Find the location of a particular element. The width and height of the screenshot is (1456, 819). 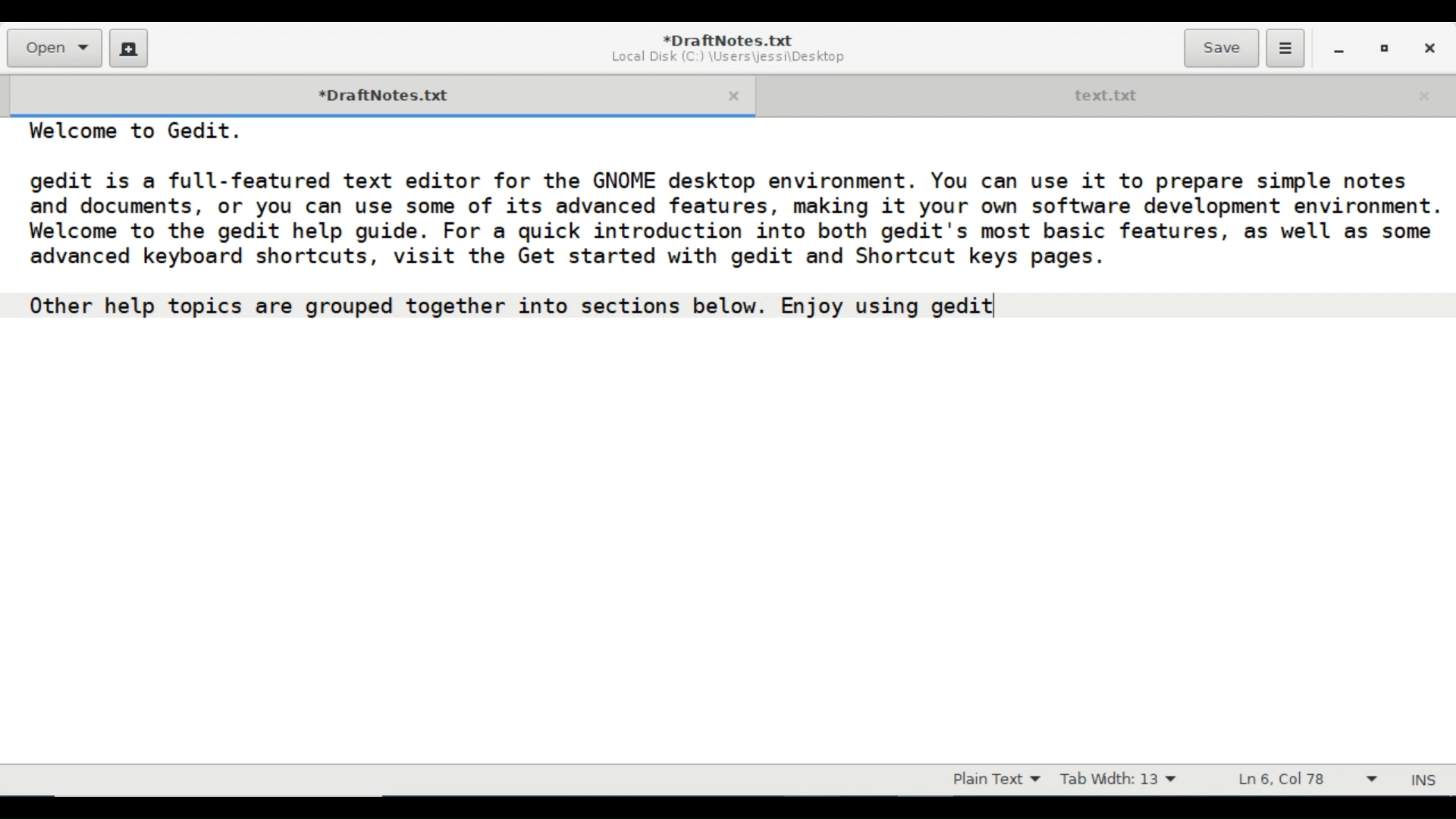

Tab Width is located at coordinates (1118, 780).